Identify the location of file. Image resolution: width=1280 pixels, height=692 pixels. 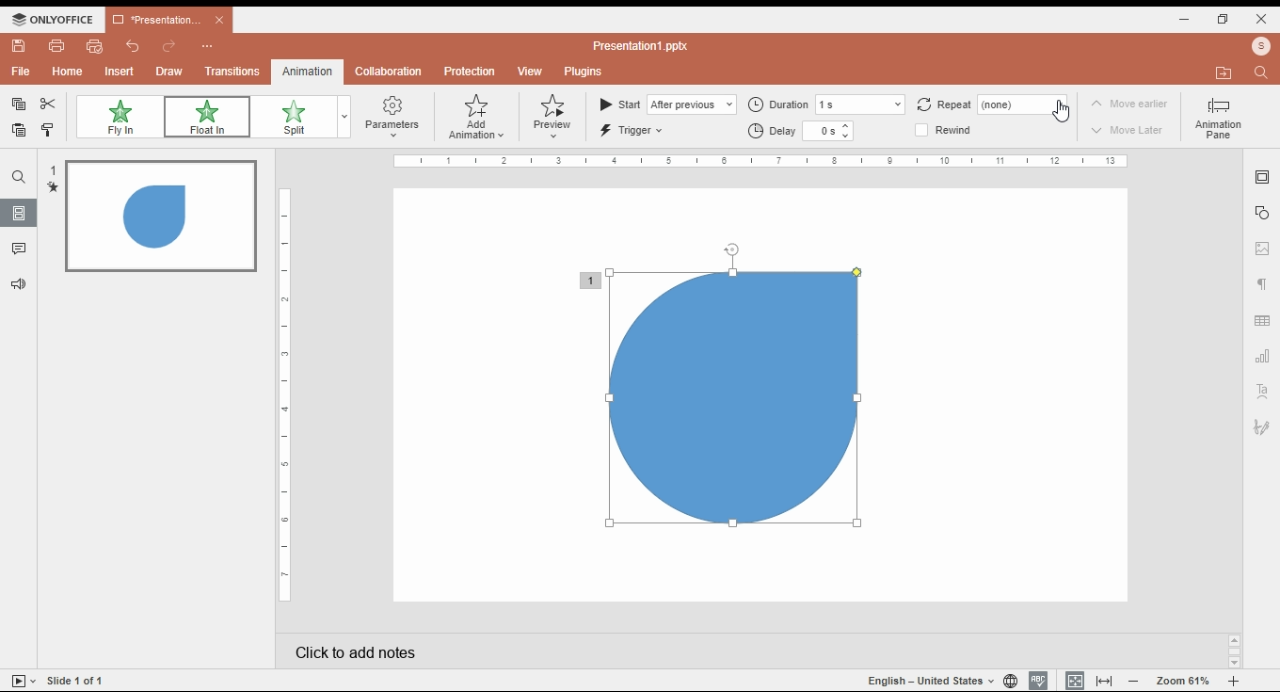
(20, 72).